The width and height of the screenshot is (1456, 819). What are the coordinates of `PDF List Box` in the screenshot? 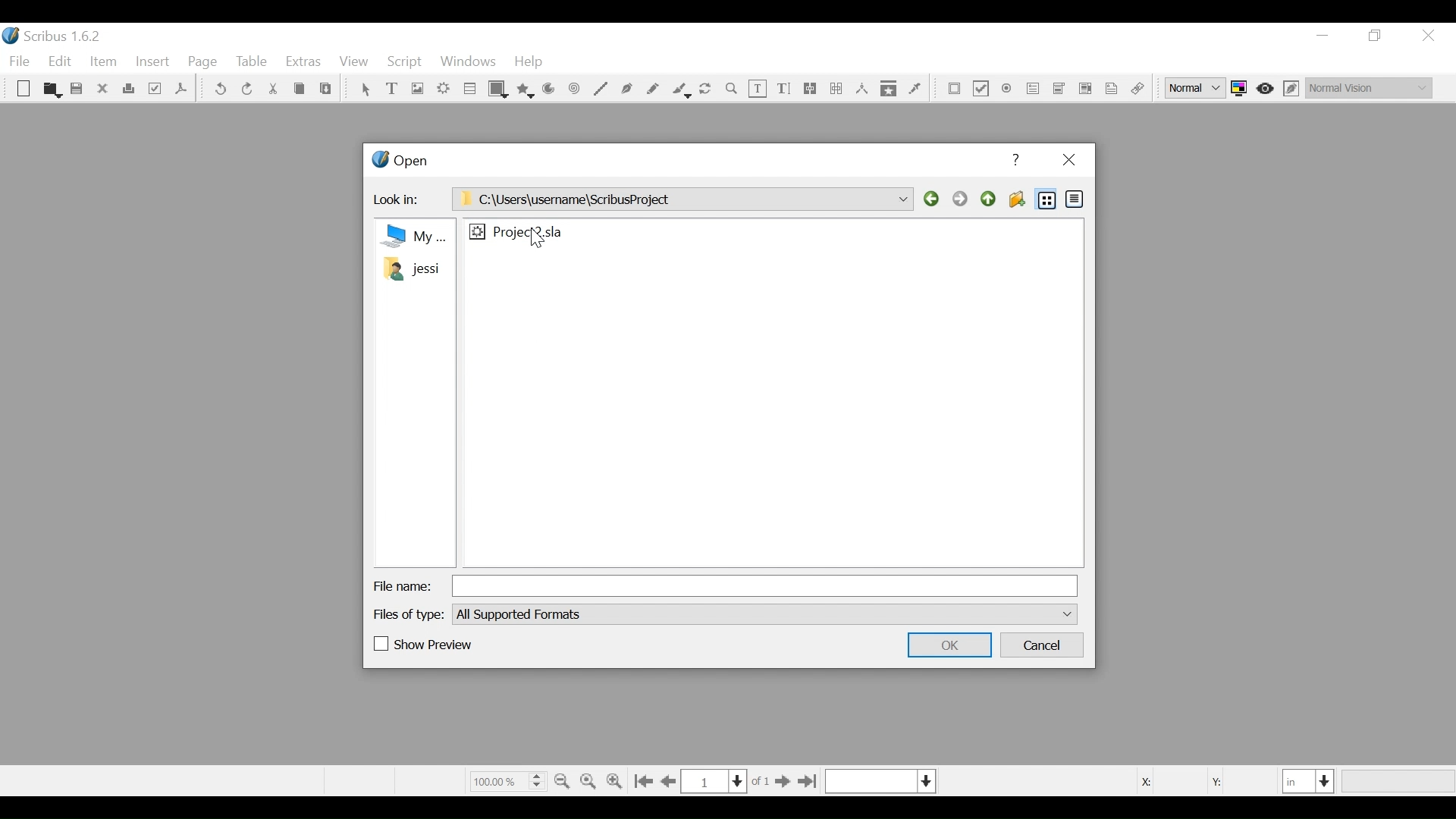 It's located at (1059, 89).